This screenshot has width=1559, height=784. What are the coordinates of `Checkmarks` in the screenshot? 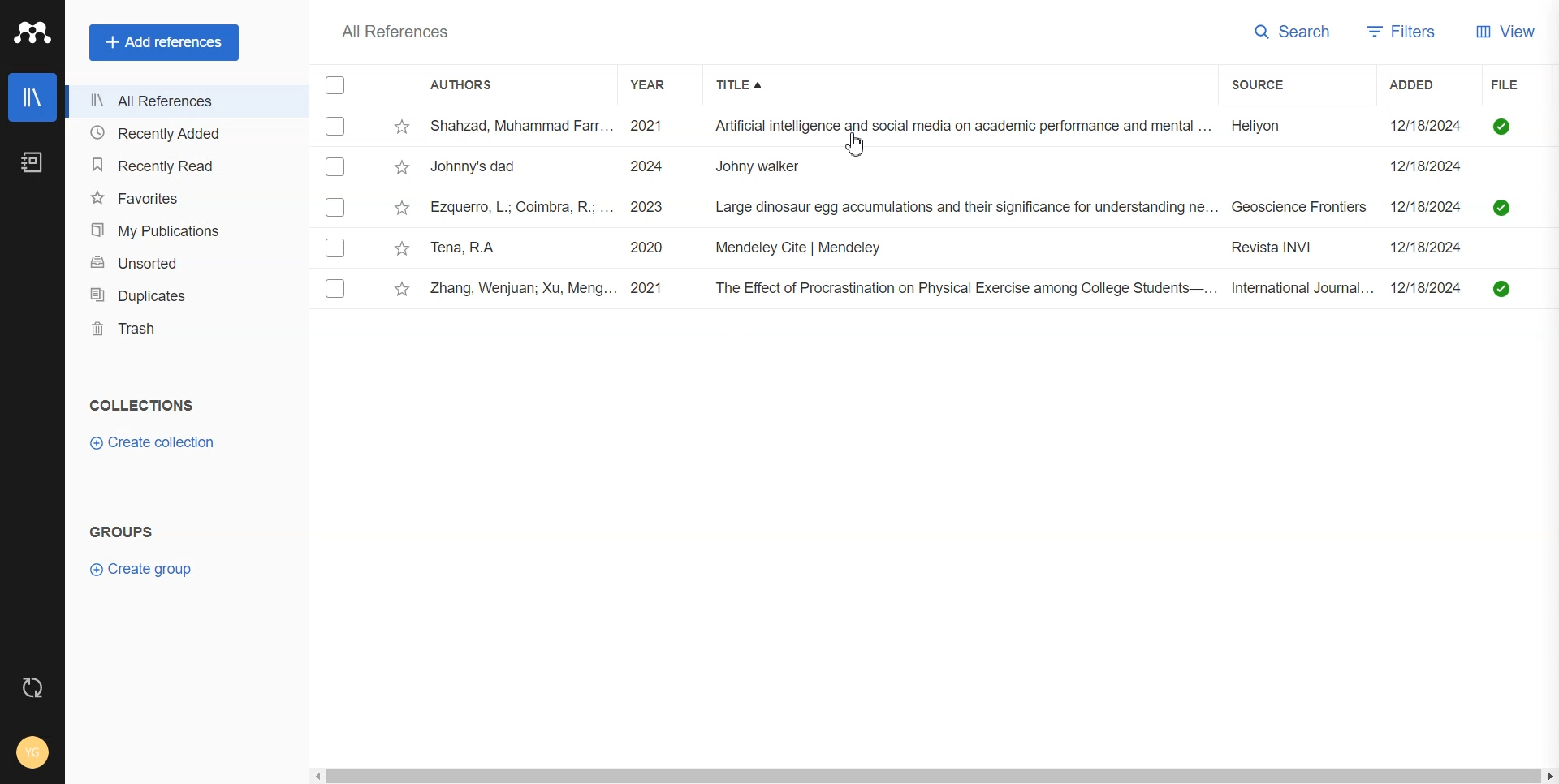 It's located at (338, 127).